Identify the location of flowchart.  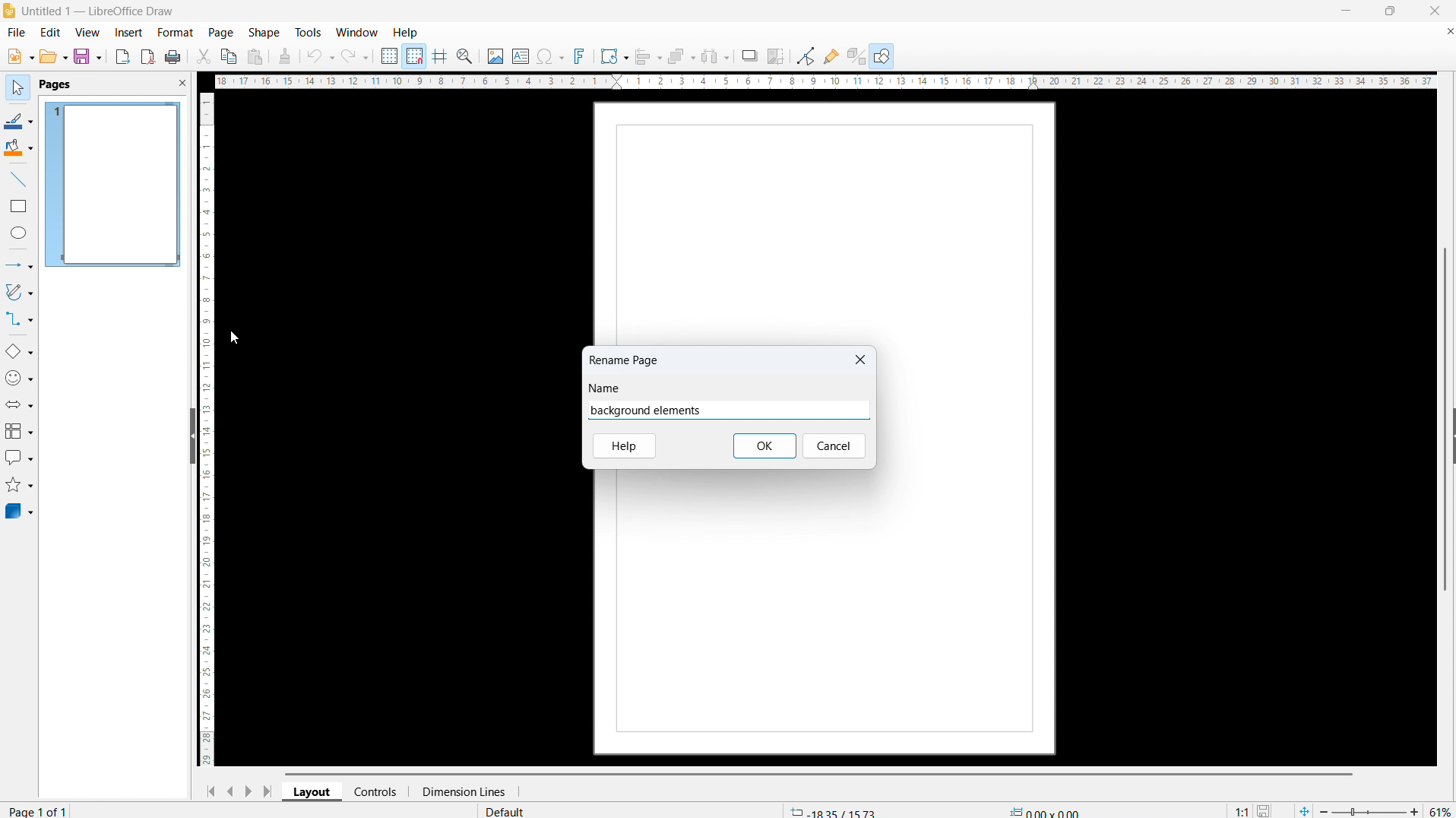
(20, 432).